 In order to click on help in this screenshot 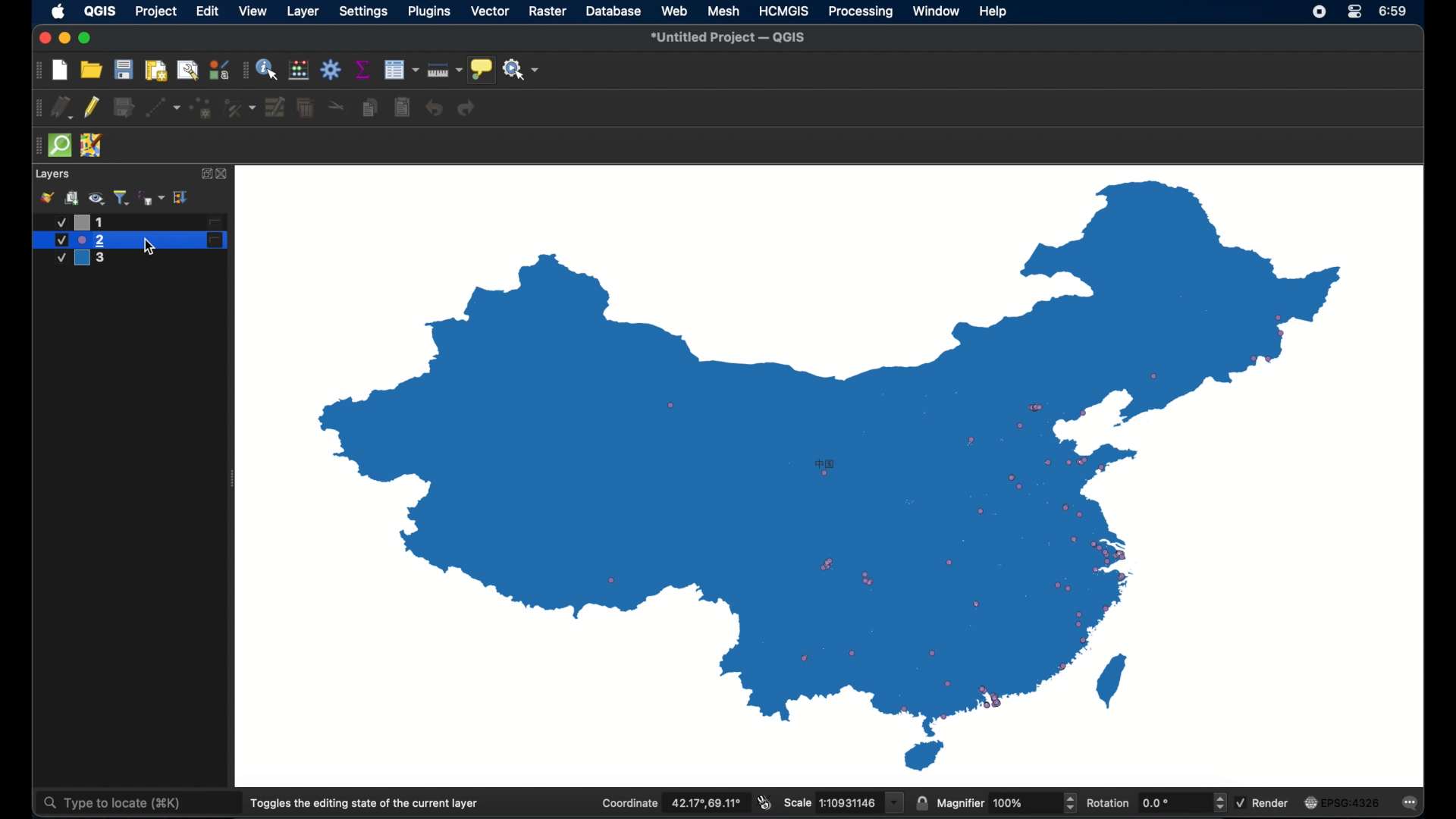, I will do `click(994, 11)`.